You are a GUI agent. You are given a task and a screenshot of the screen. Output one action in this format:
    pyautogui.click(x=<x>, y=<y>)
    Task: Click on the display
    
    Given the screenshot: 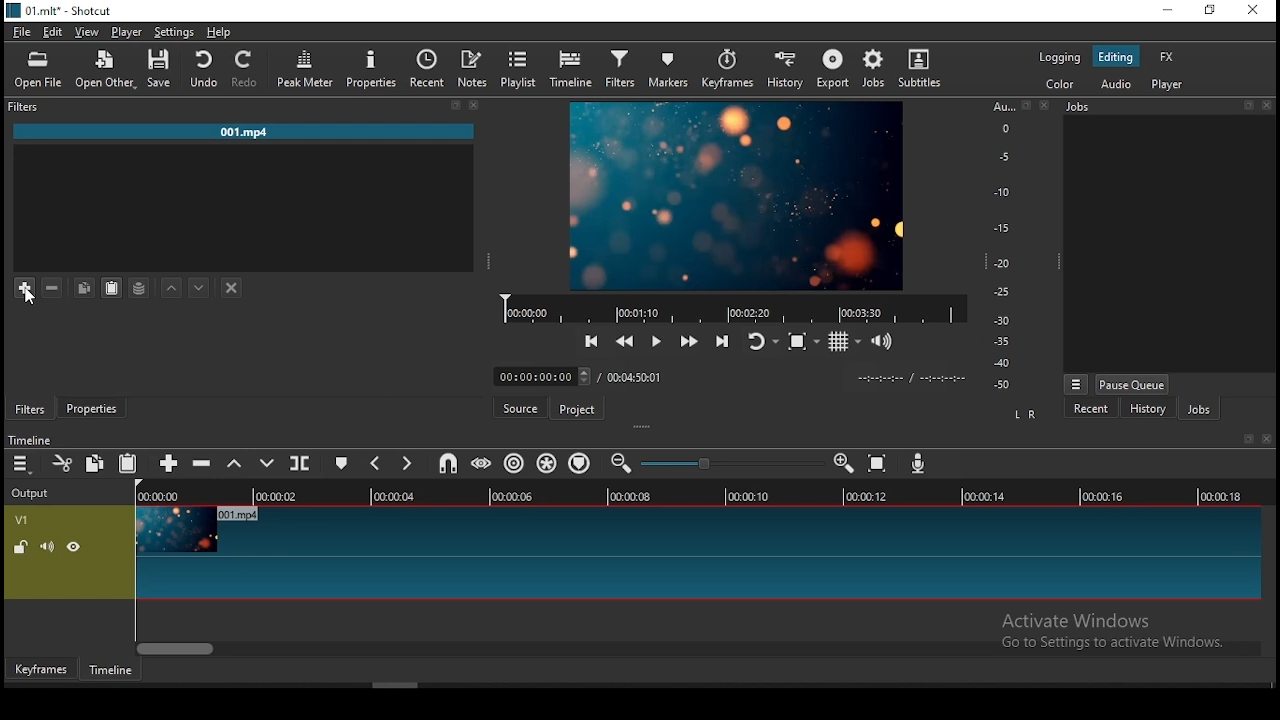 What is the action you would take?
    pyautogui.click(x=1172, y=244)
    